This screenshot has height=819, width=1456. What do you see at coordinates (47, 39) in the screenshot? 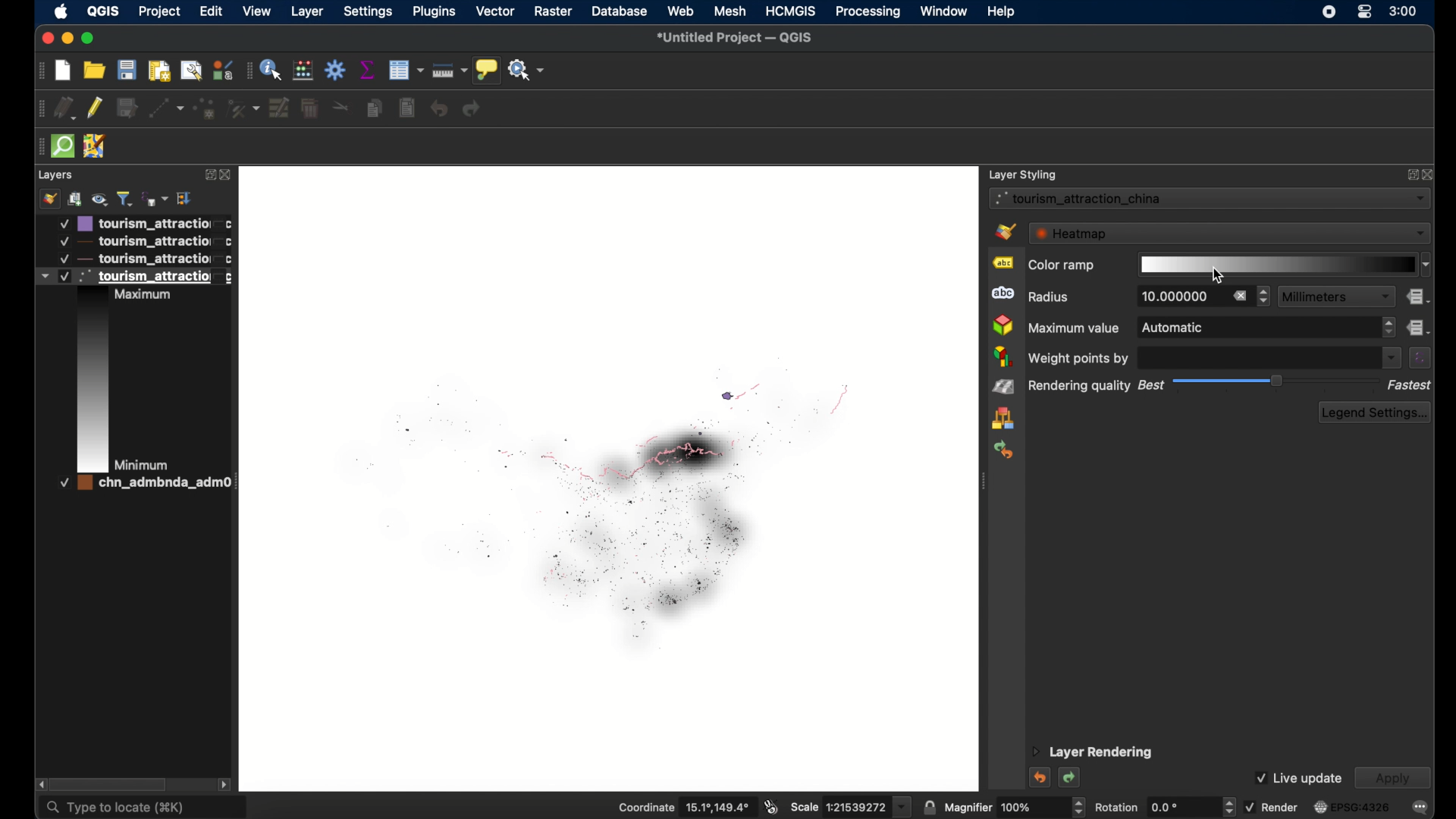
I see `close` at bounding box center [47, 39].